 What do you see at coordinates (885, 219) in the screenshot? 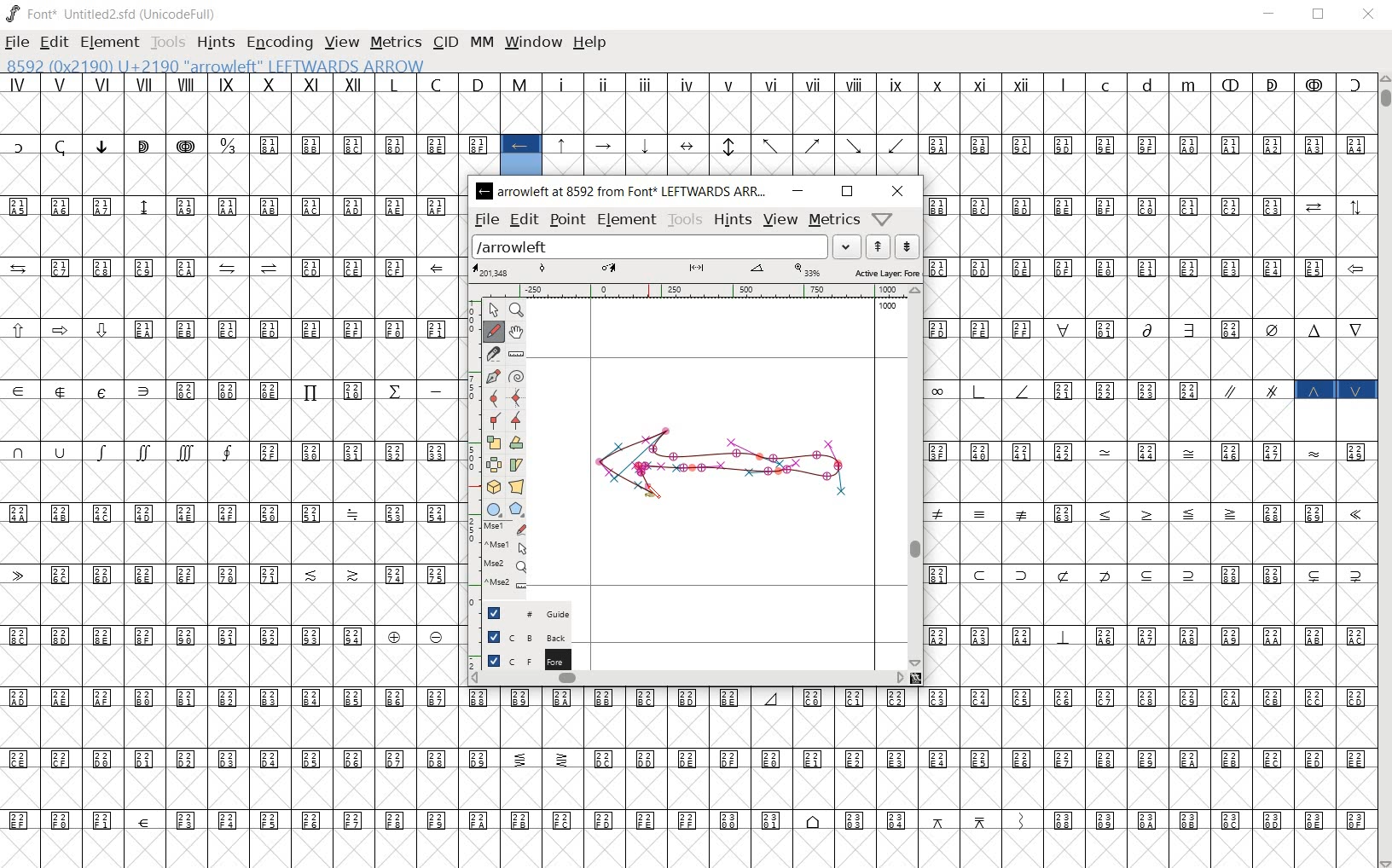
I see `Help/Window` at bounding box center [885, 219].